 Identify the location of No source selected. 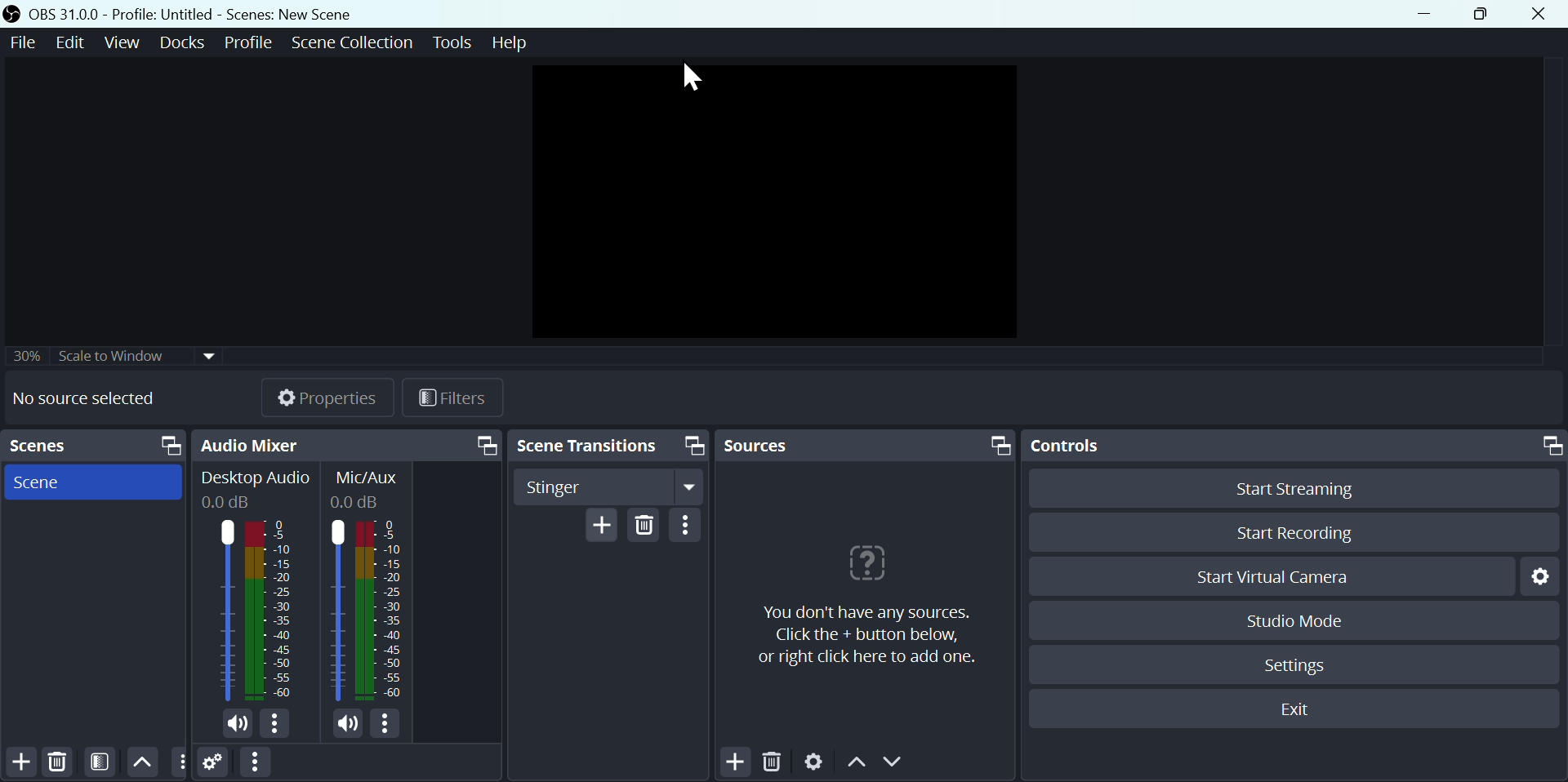
(96, 398).